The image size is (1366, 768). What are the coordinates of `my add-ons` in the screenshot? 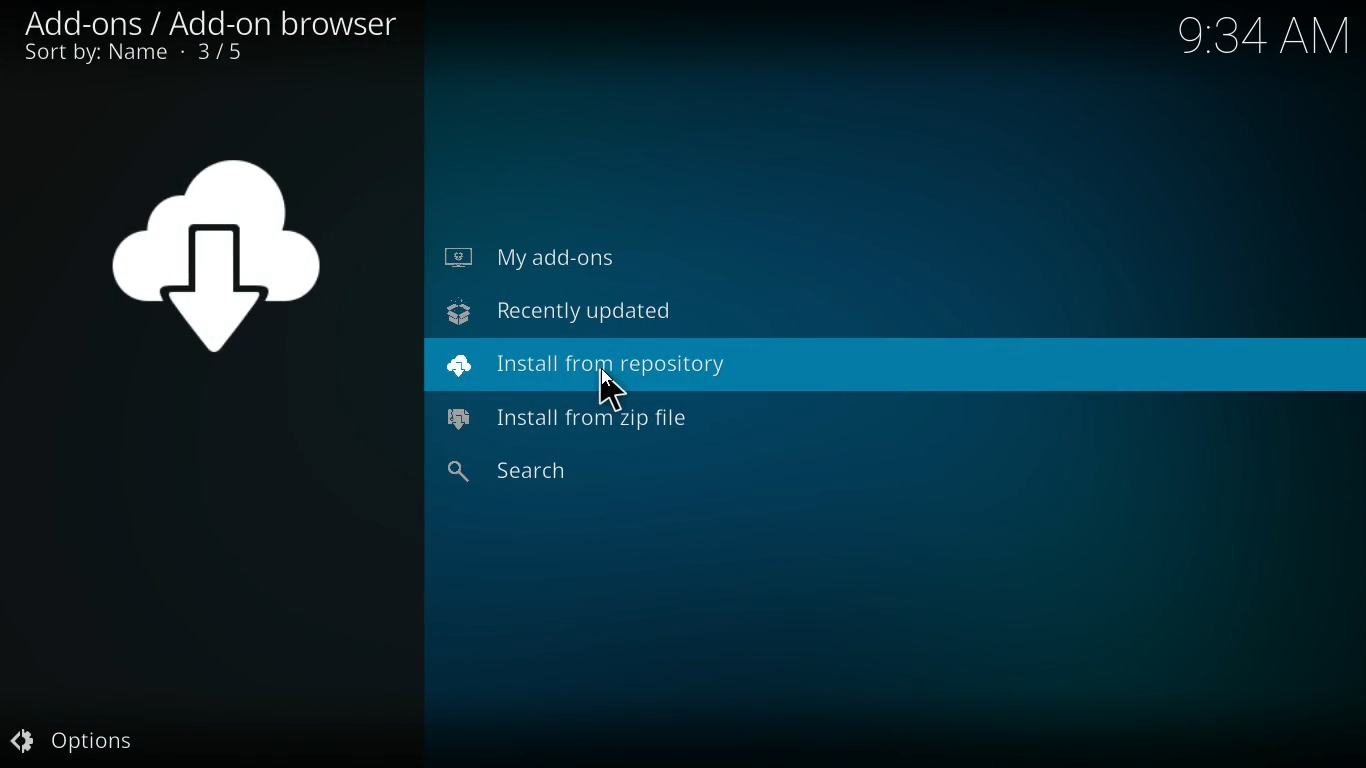 It's located at (559, 257).